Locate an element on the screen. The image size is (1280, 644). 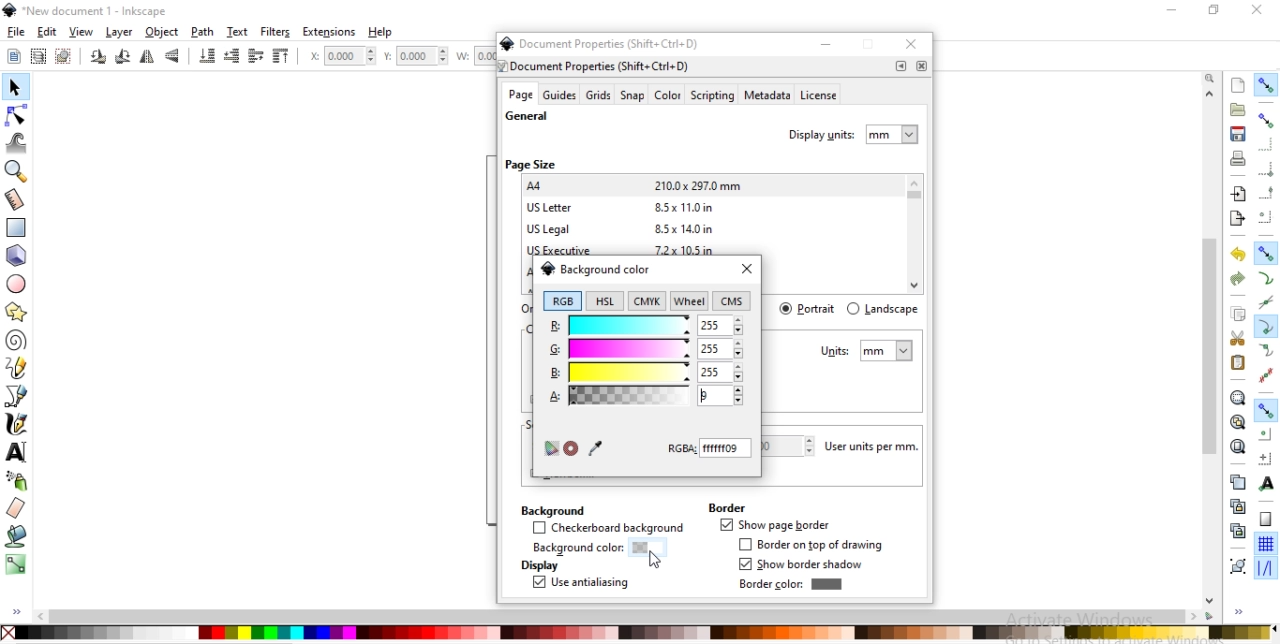
page size is located at coordinates (530, 164).